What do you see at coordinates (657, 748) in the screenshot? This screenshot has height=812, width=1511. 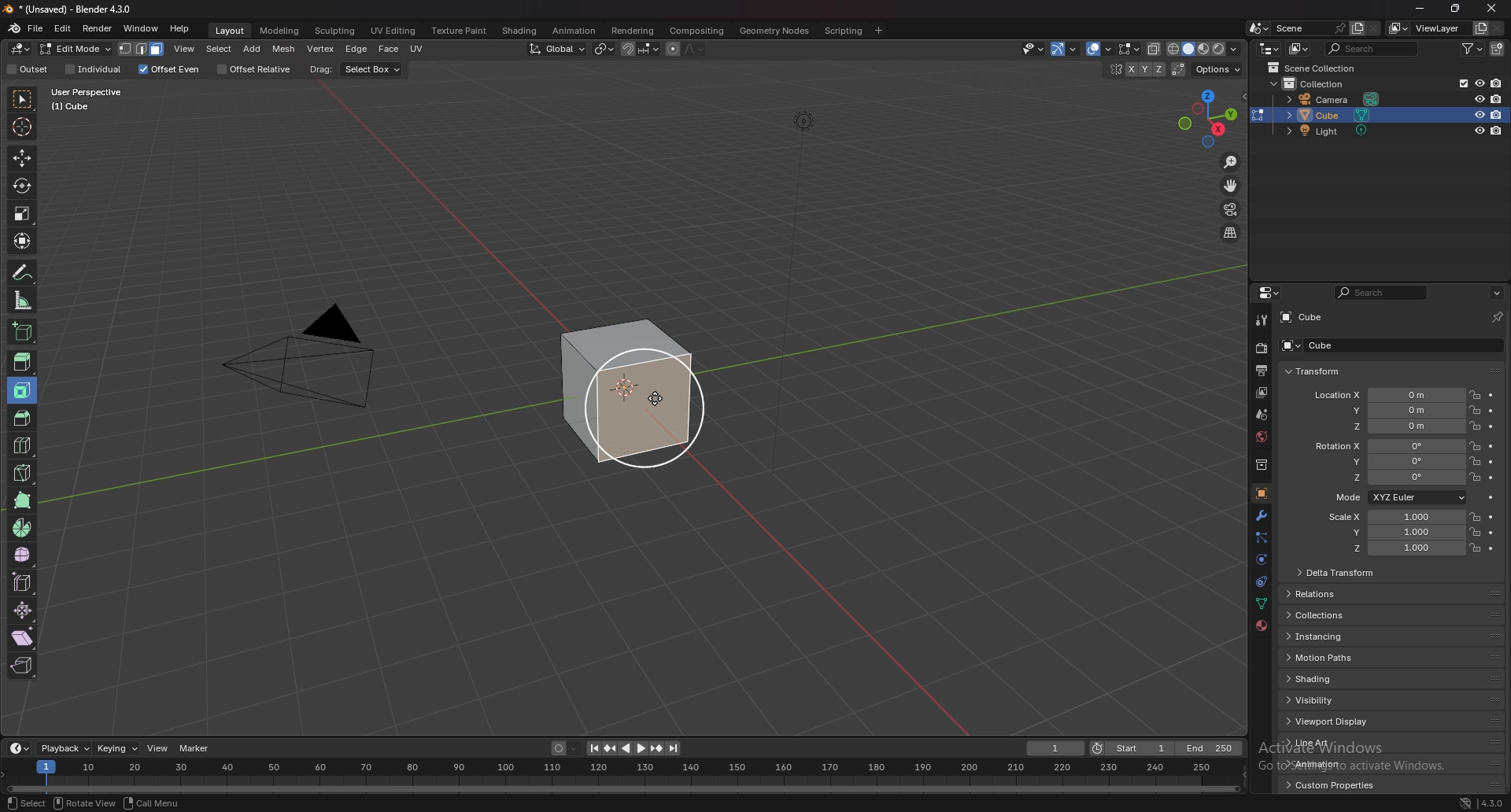 I see `jump to keyframe` at bounding box center [657, 748].